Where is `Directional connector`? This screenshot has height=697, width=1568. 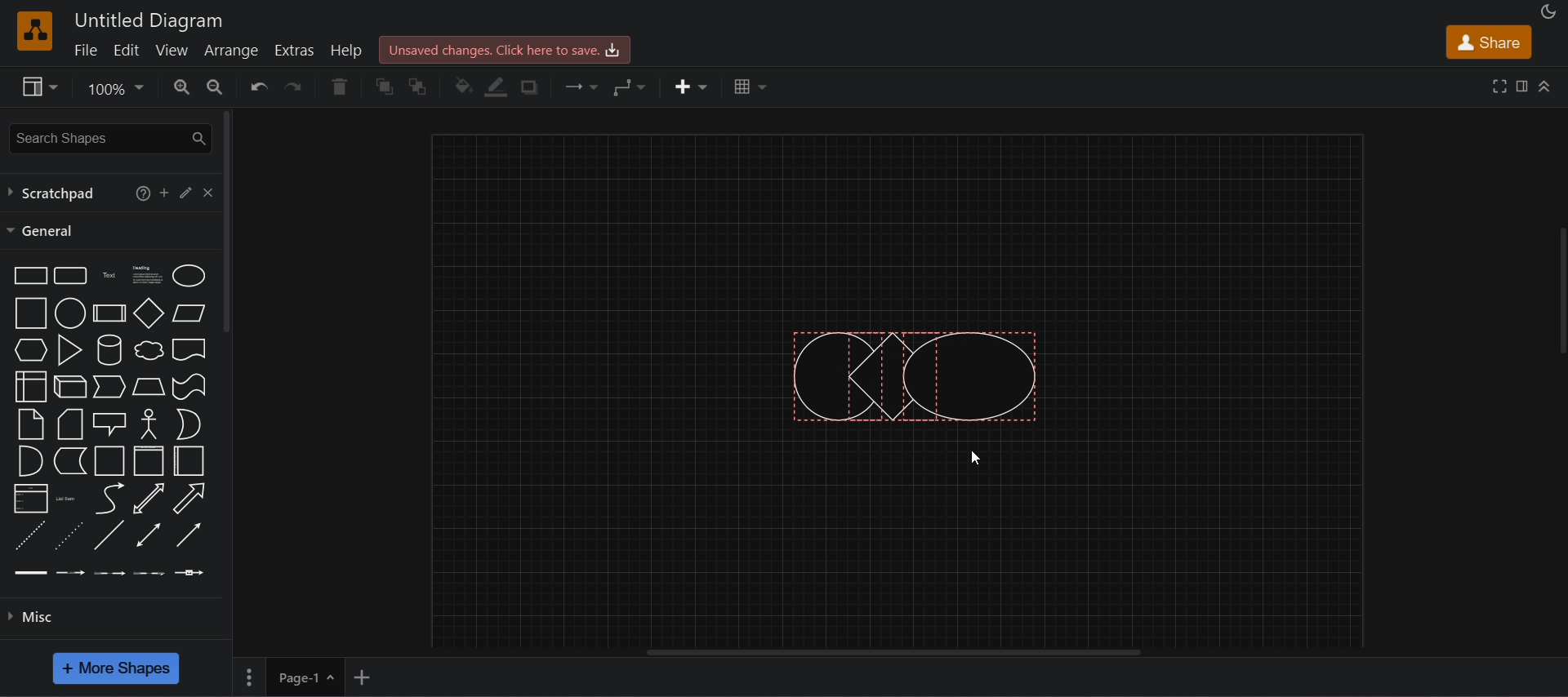
Directional connector is located at coordinates (189, 535).